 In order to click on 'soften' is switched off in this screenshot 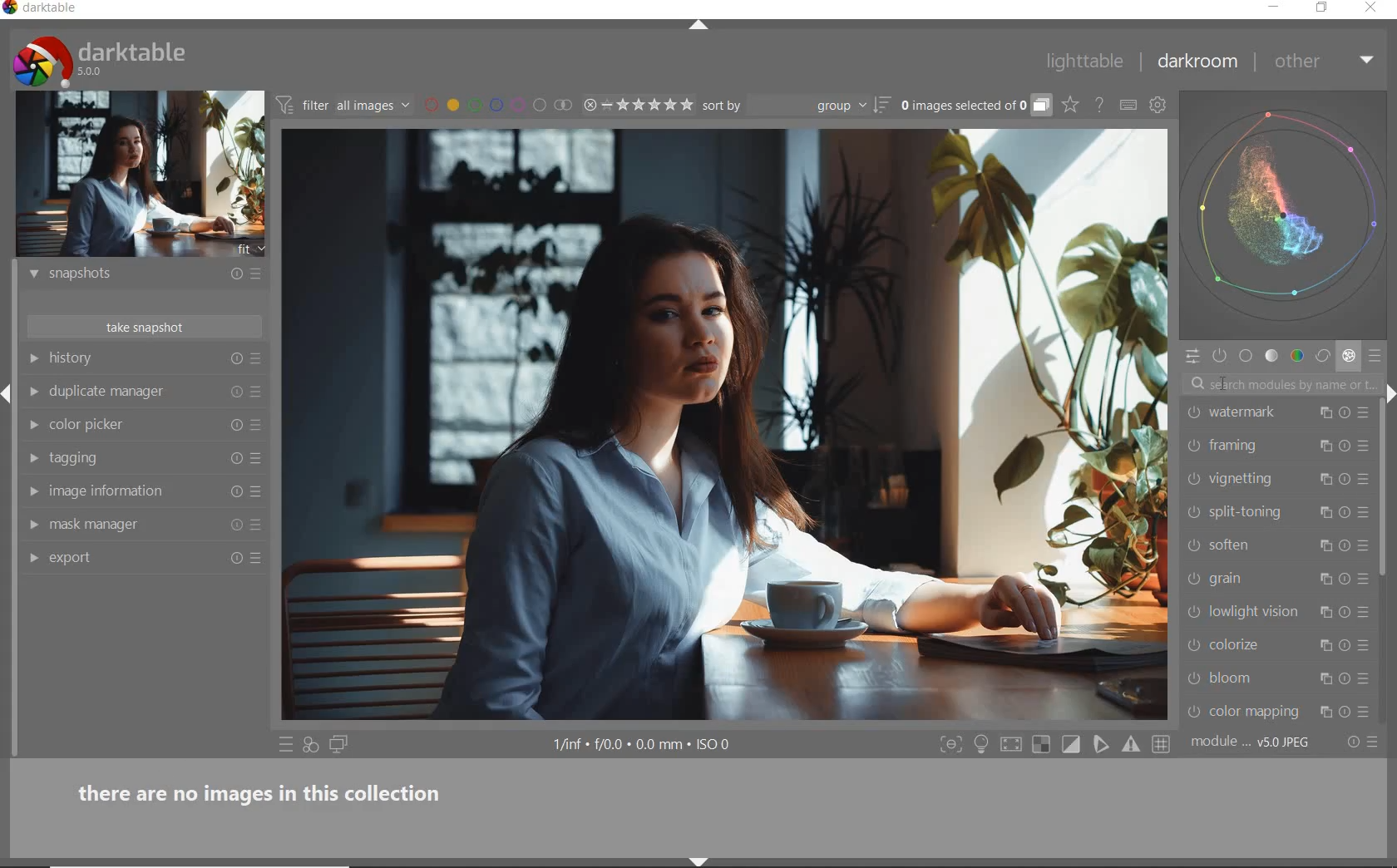, I will do `click(1190, 545)`.